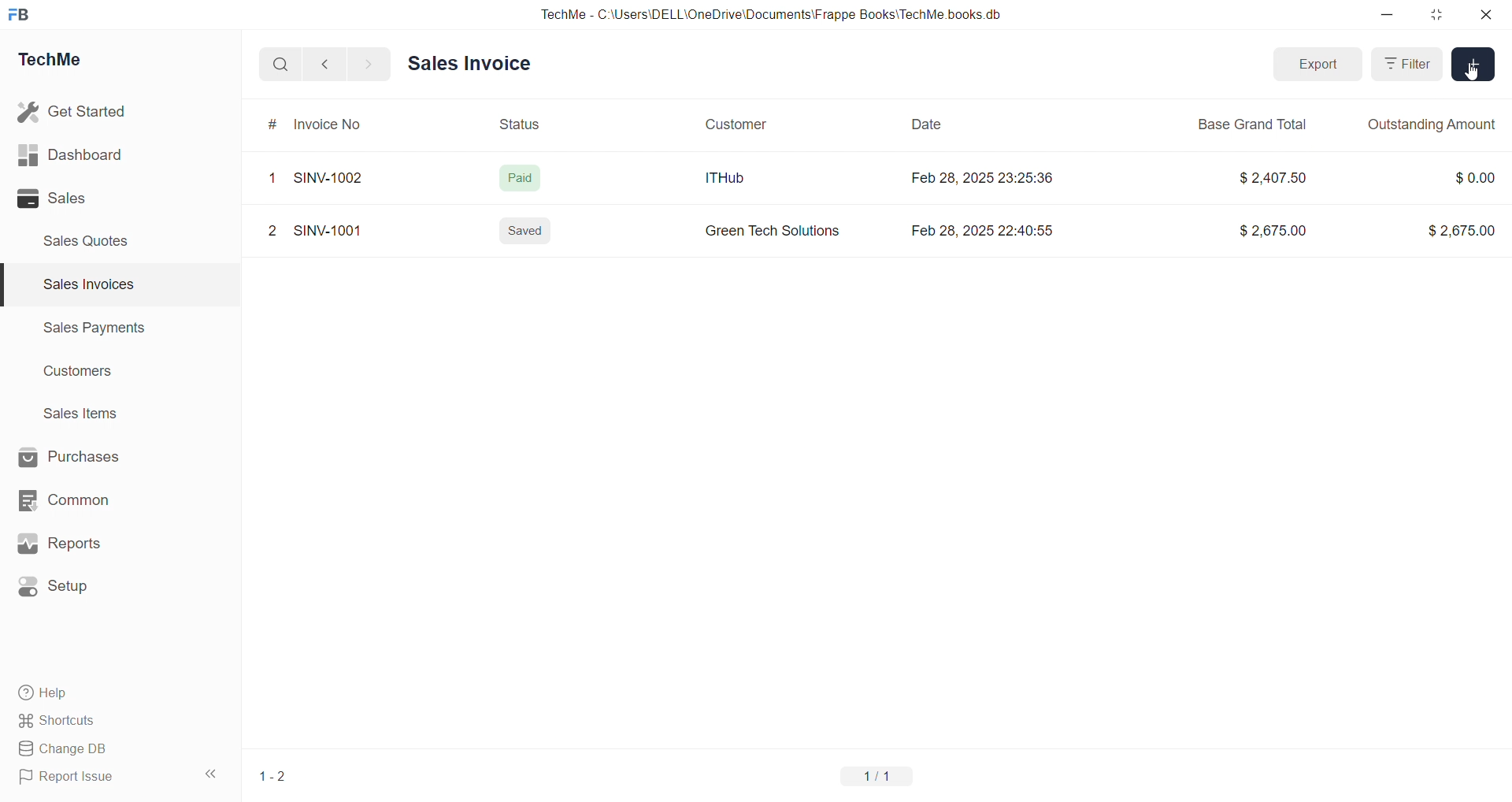 This screenshot has height=802, width=1512. I want to click on ws Reports, so click(74, 544).